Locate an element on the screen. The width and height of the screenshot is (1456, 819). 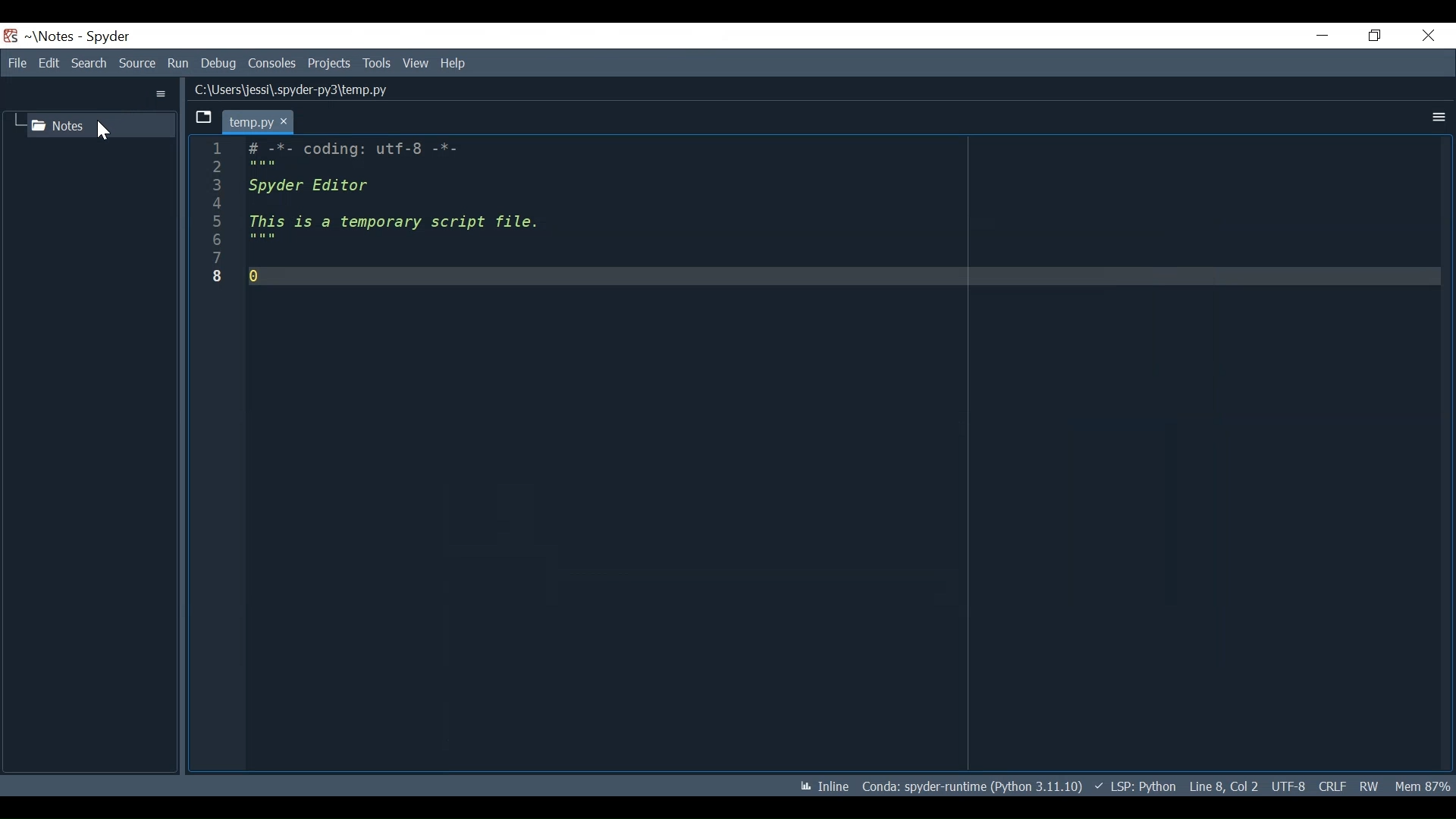
File Encoding is located at coordinates (1288, 786).